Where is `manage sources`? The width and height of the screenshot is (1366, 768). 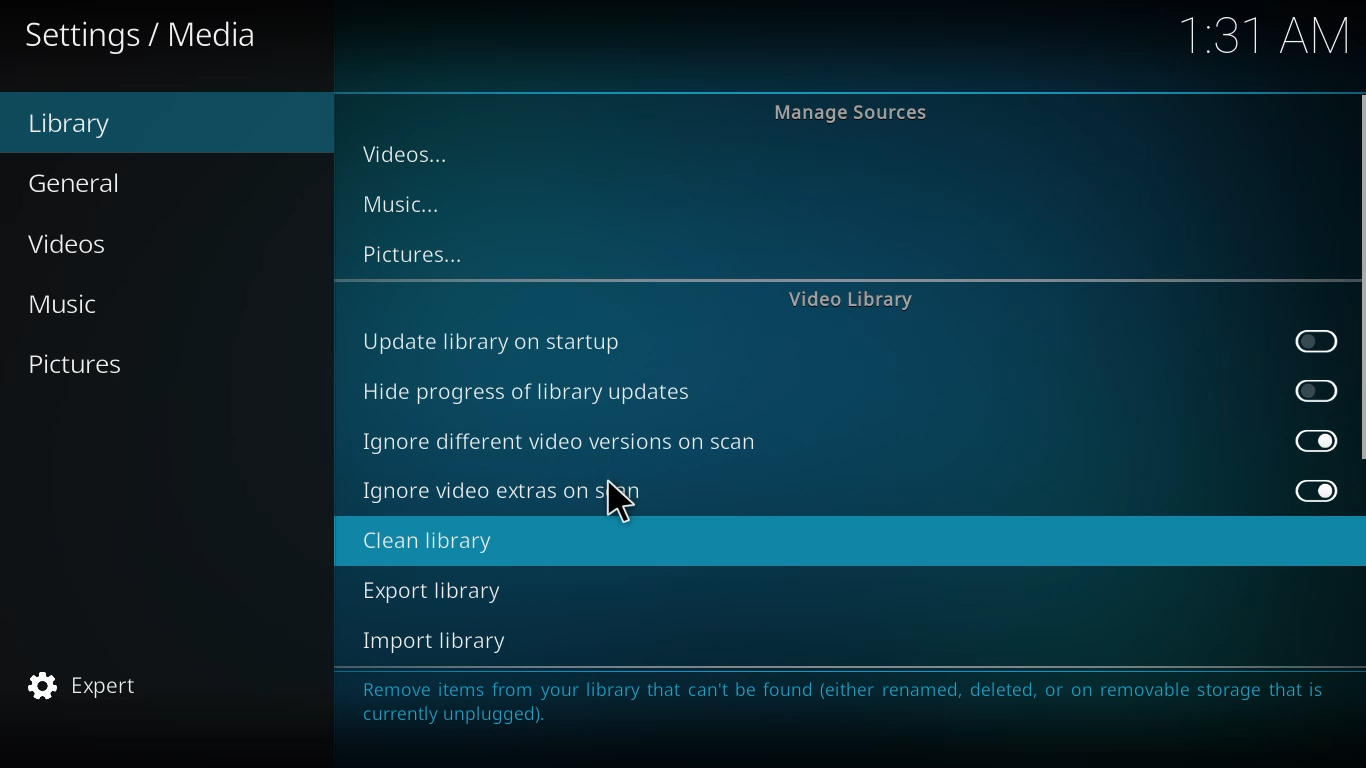
manage sources is located at coordinates (852, 110).